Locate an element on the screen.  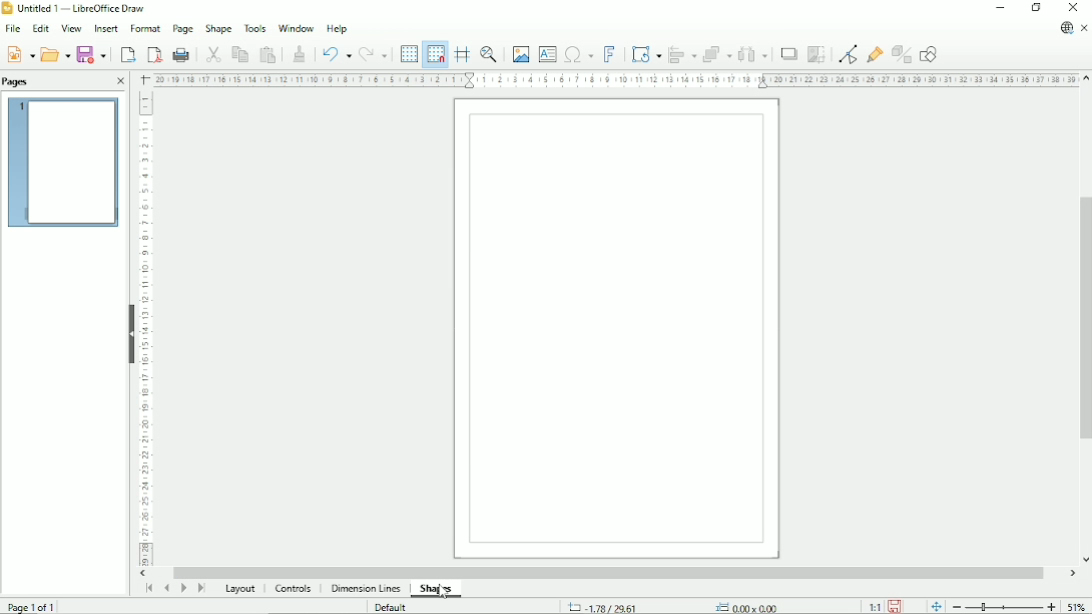
Distribute is located at coordinates (753, 54).